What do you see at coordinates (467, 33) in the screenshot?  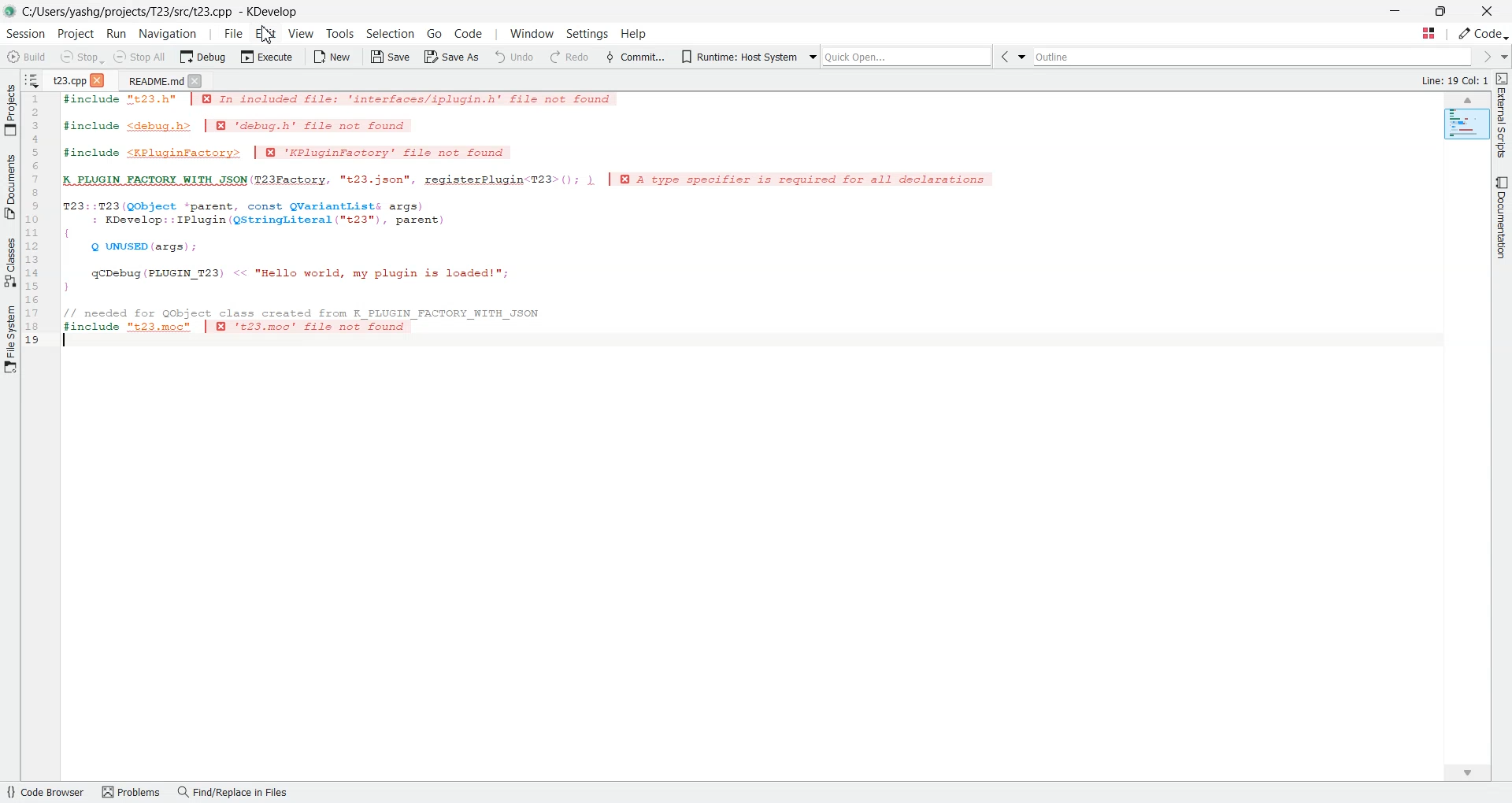 I see `Code` at bounding box center [467, 33].